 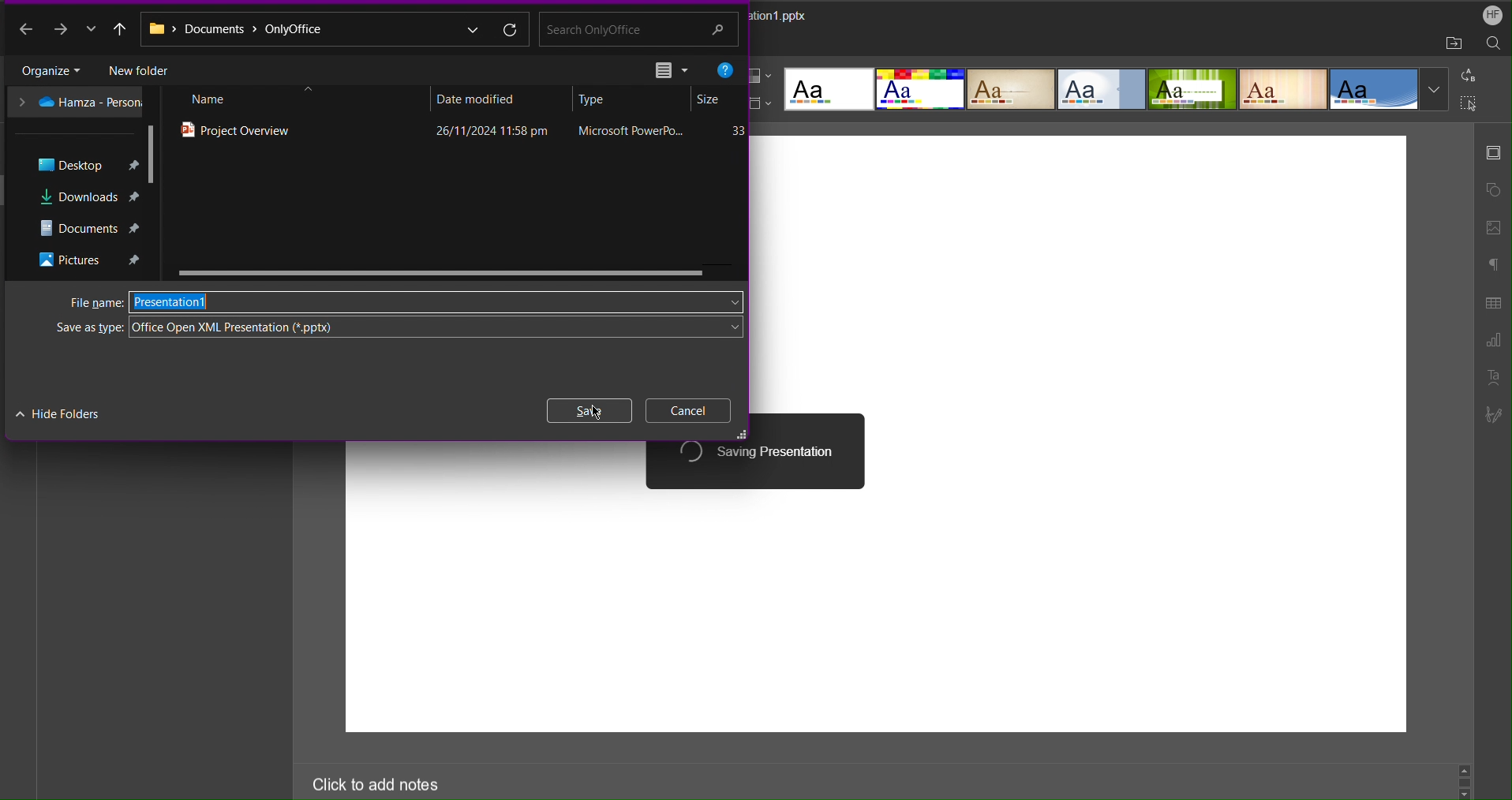 I want to click on Pictures, so click(x=87, y=258).